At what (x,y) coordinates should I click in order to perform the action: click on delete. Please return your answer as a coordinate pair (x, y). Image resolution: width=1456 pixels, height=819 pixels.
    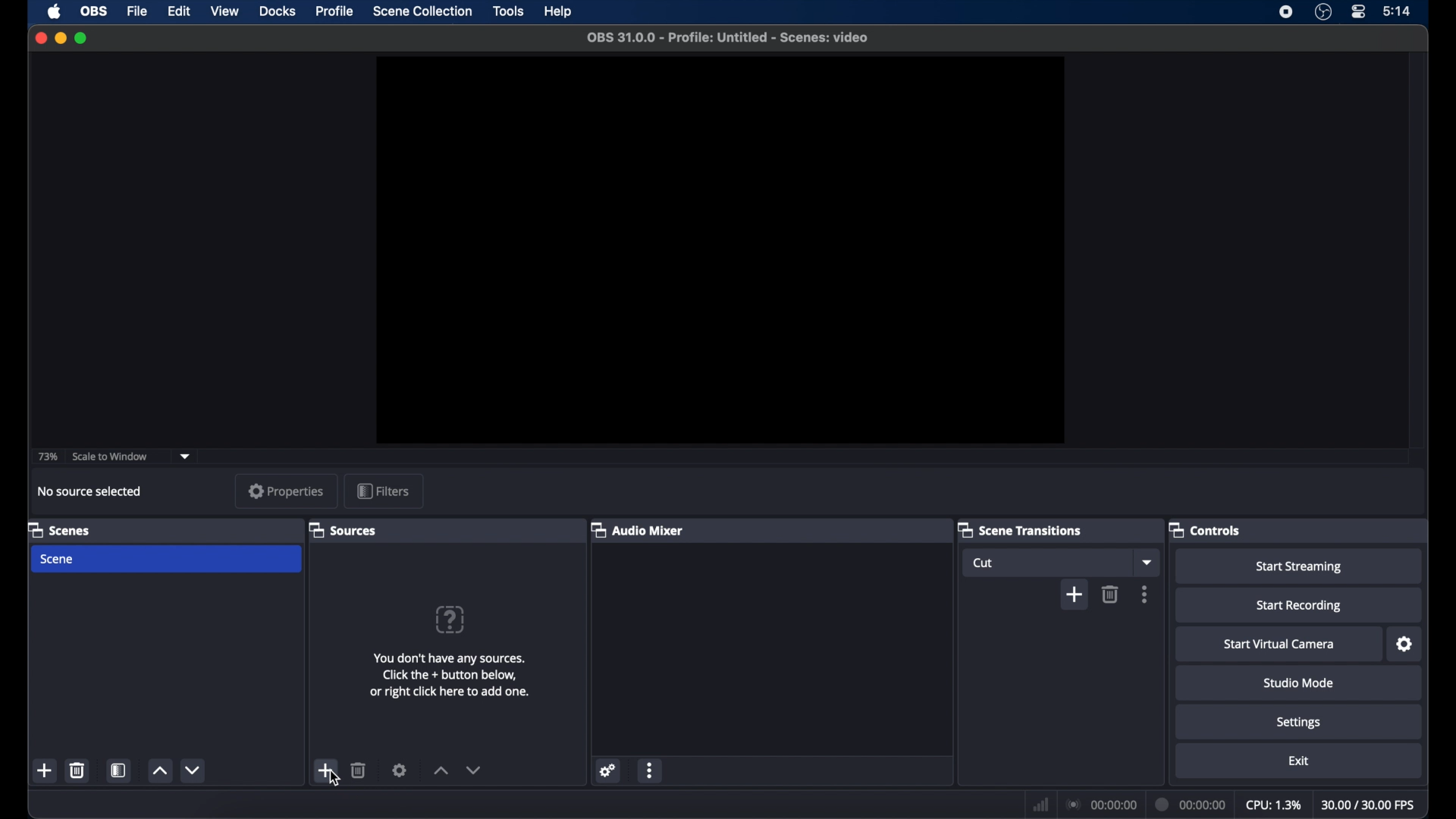
    Looking at the image, I should click on (77, 770).